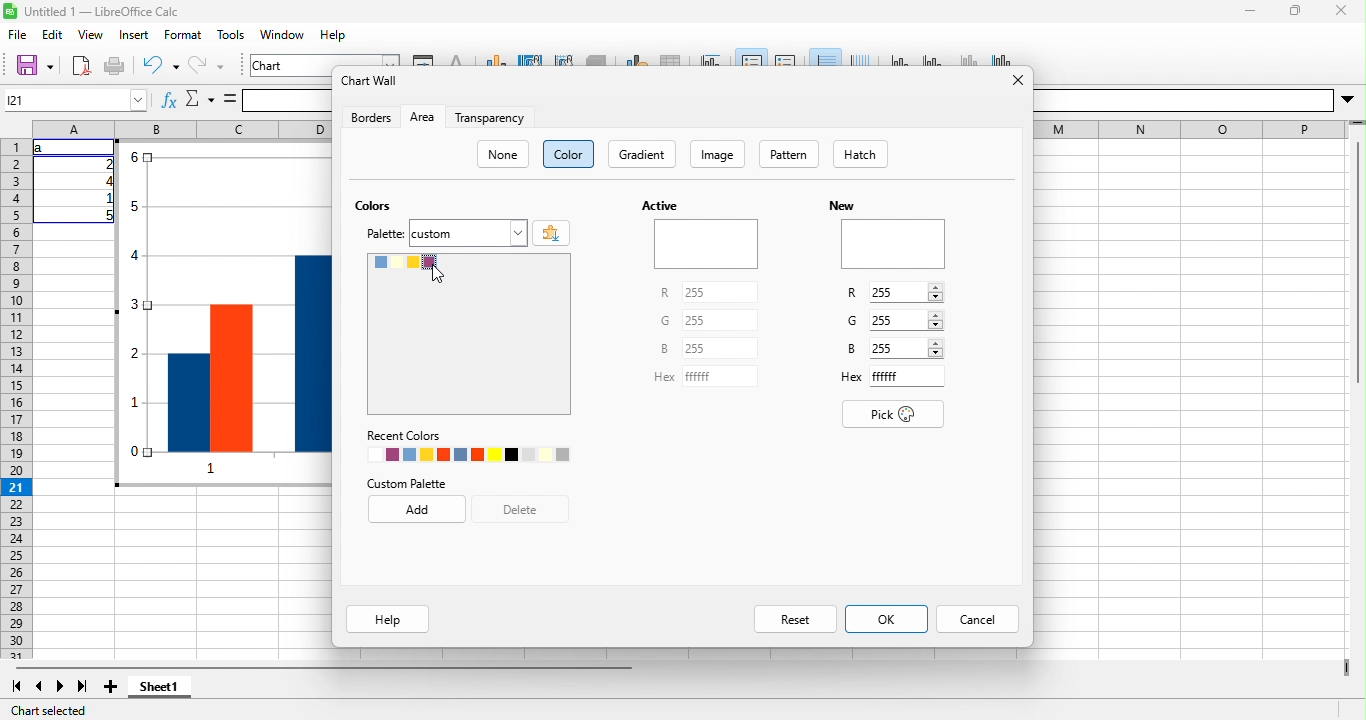 This screenshot has height=720, width=1366. I want to click on hatch, so click(860, 154).